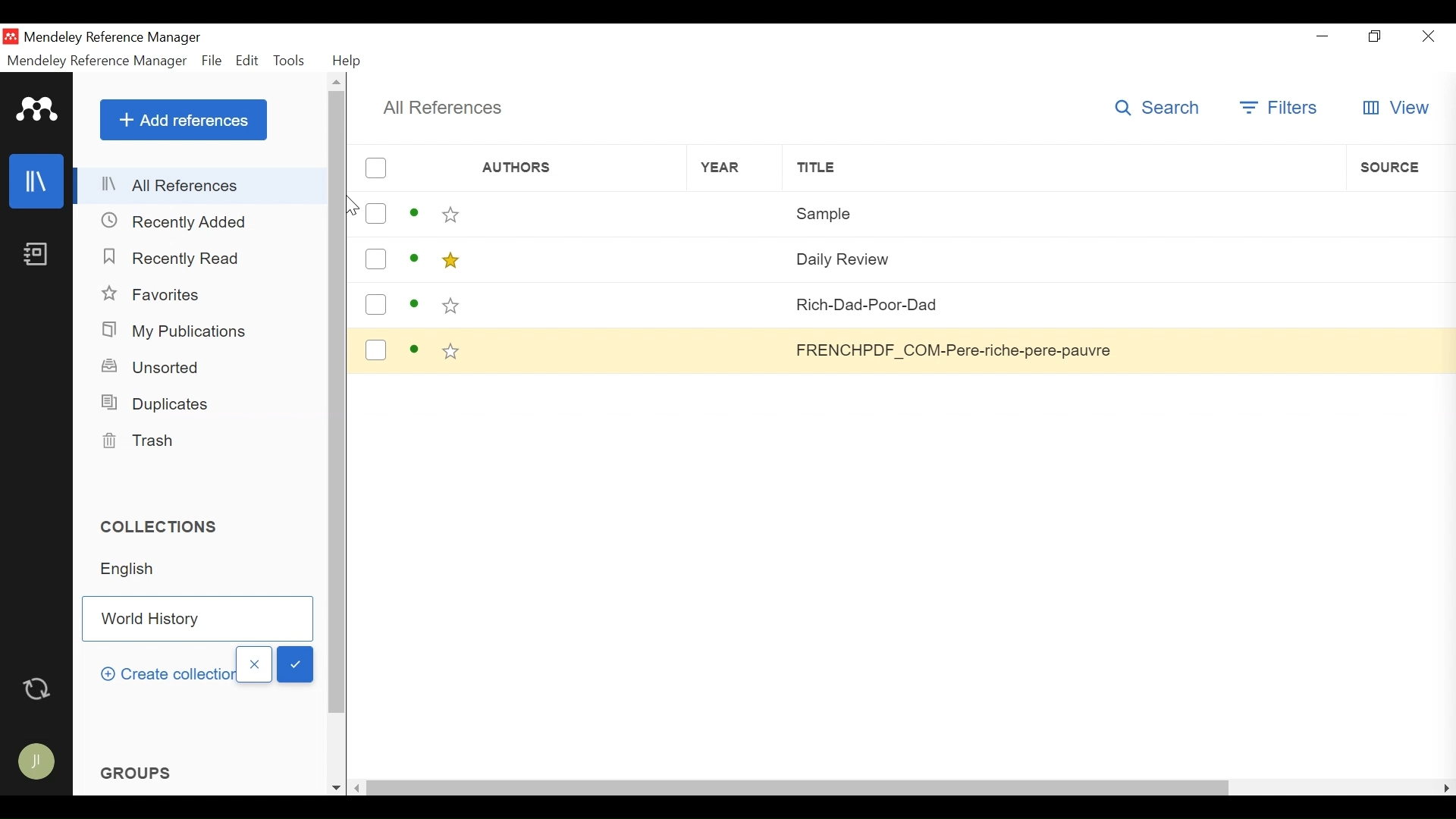 The image size is (1456, 819). Describe the element at coordinates (1400, 167) in the screenshot. I see `Source` at that location.